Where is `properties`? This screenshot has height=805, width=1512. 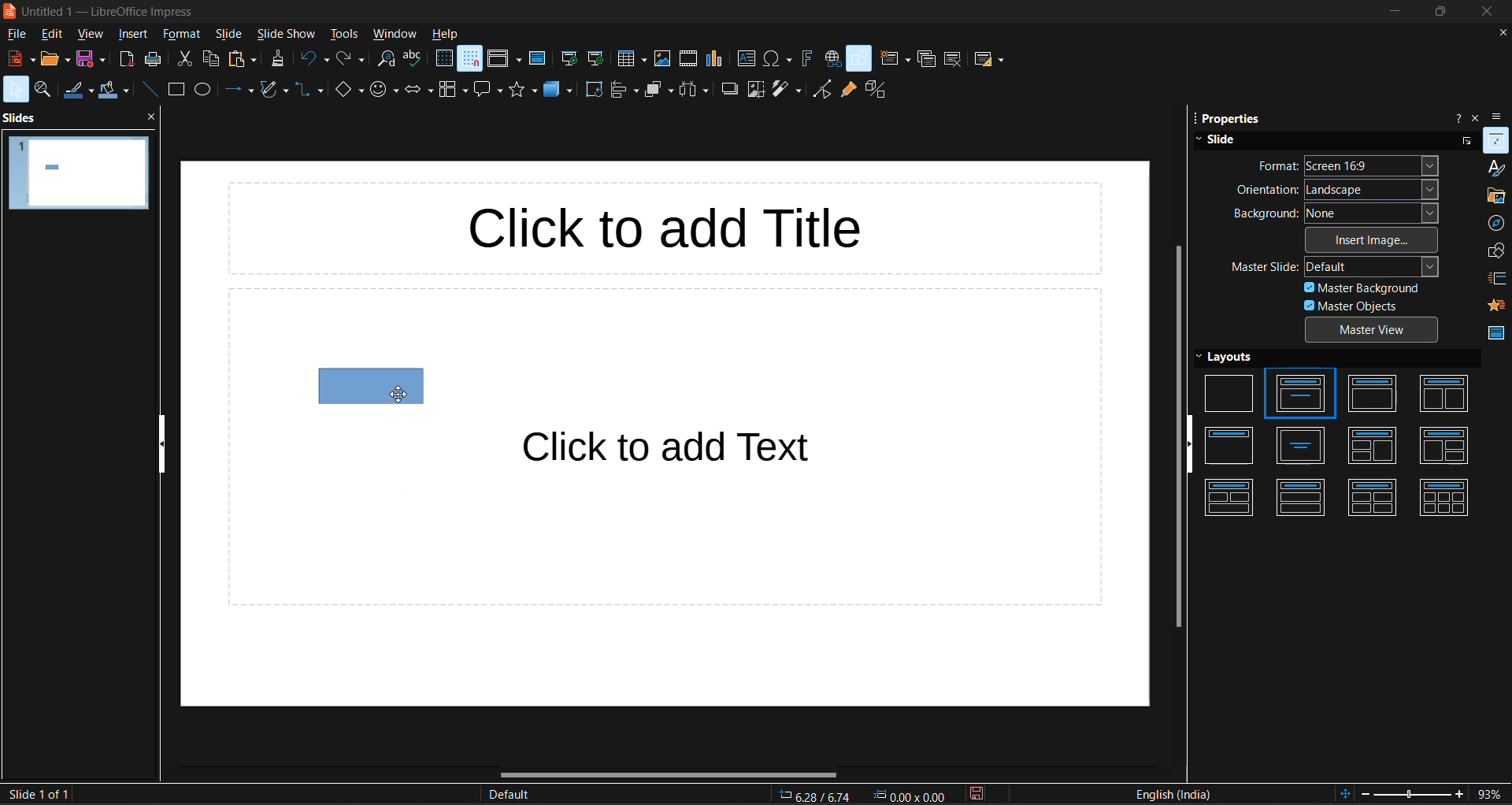 properties is located at coordinates (1498, 139).